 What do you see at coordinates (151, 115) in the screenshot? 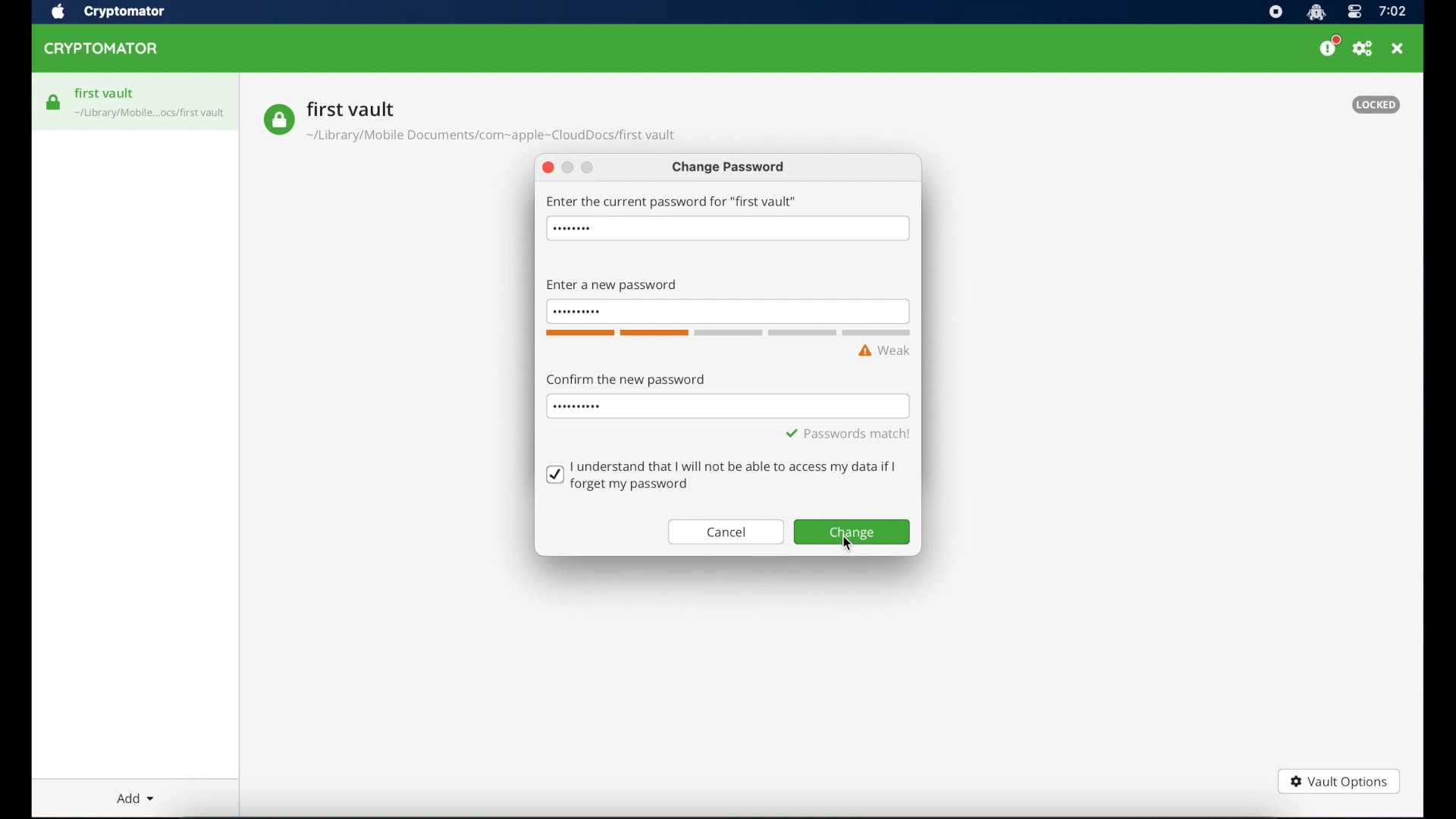
I see `vault icon` at bounding box center [151, 115].